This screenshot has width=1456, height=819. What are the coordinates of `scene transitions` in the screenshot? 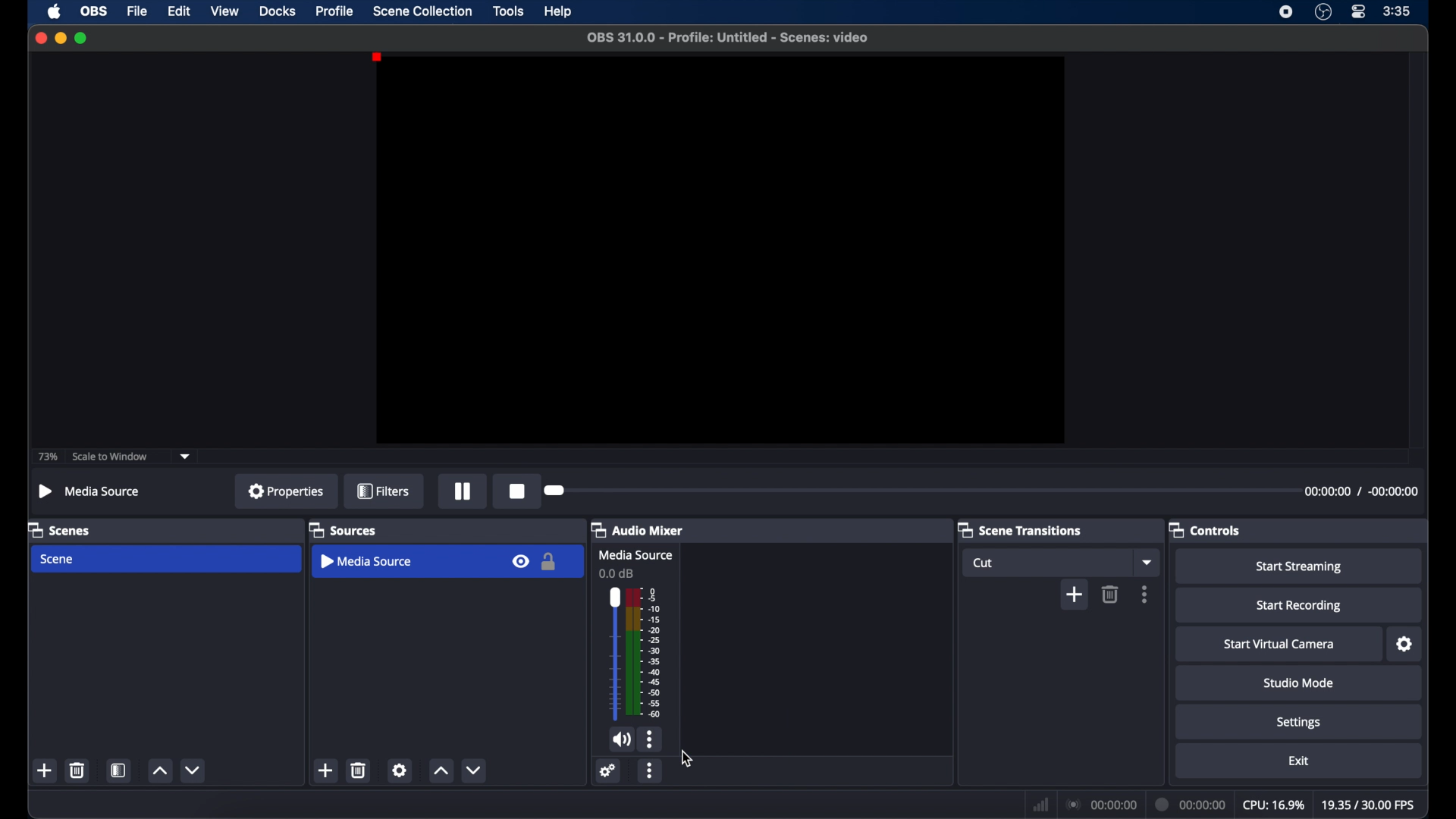 It's located at (1019, 529).